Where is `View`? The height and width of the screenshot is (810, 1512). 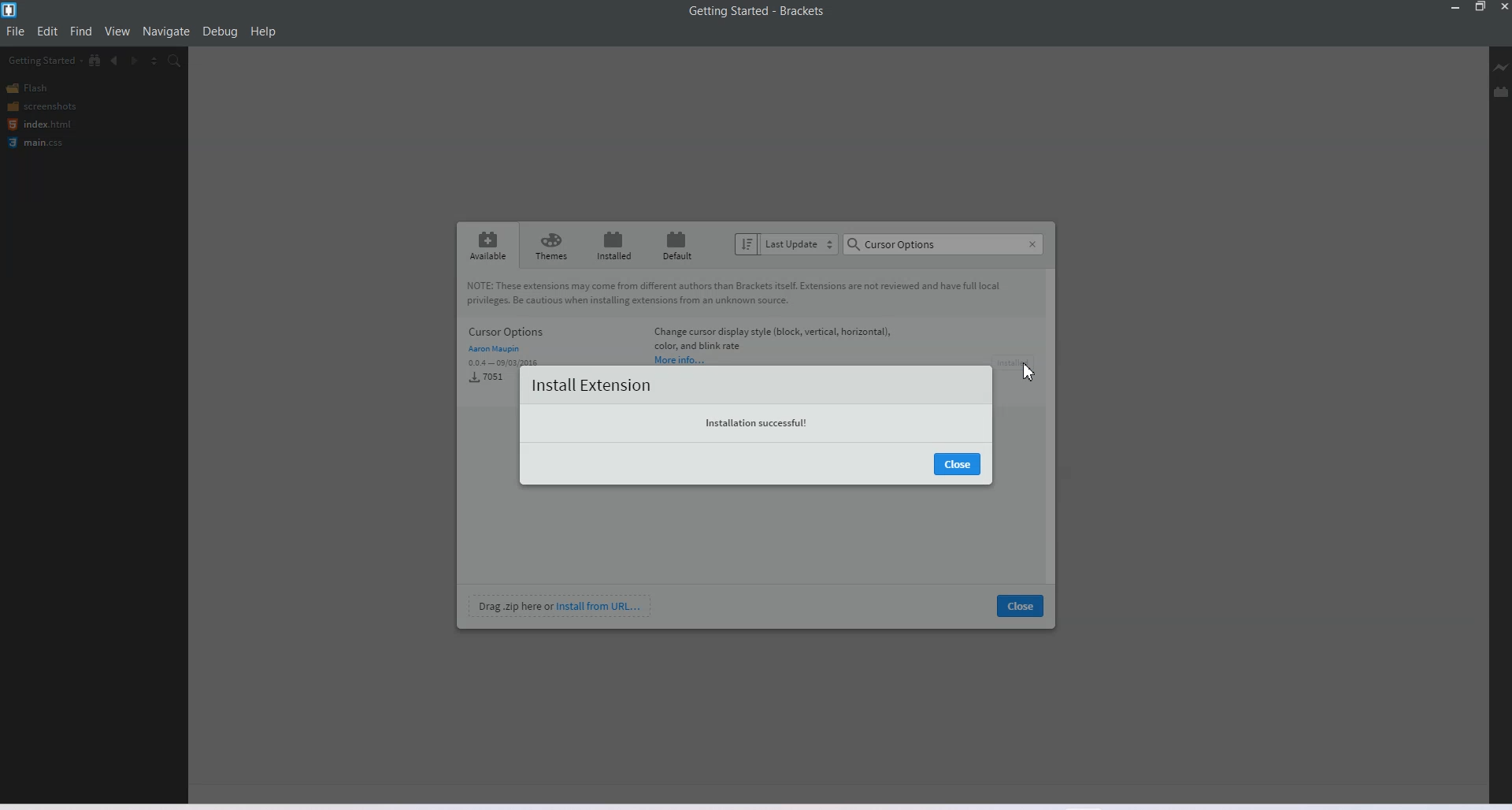 View is located at coordinates (117, 30).